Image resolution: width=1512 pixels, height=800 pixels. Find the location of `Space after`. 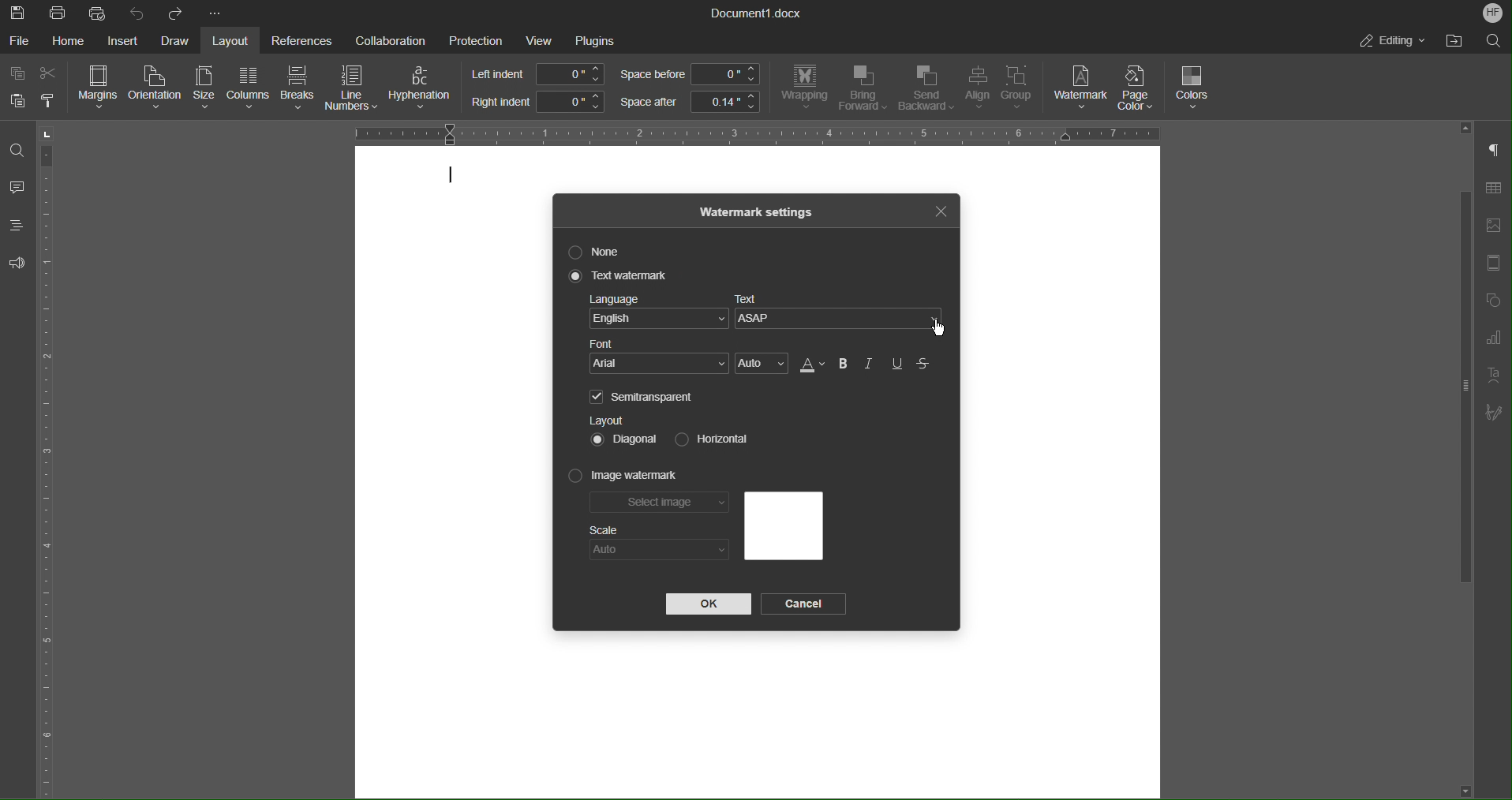

Space after is located at coordinates (689, 102).